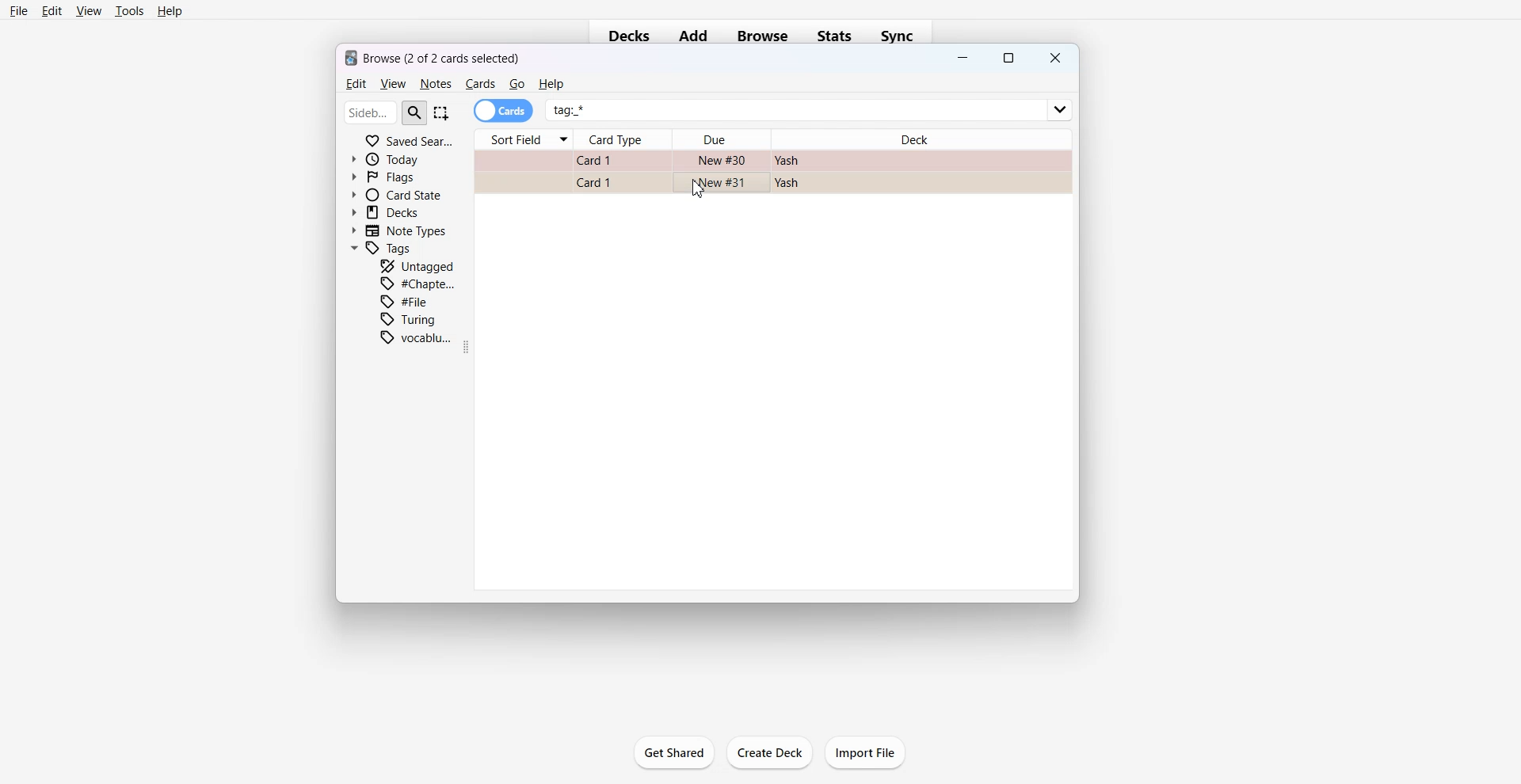  Describe the element at coordinates (469, 347) in the screenshot. I see `Drag Handle` at that location.